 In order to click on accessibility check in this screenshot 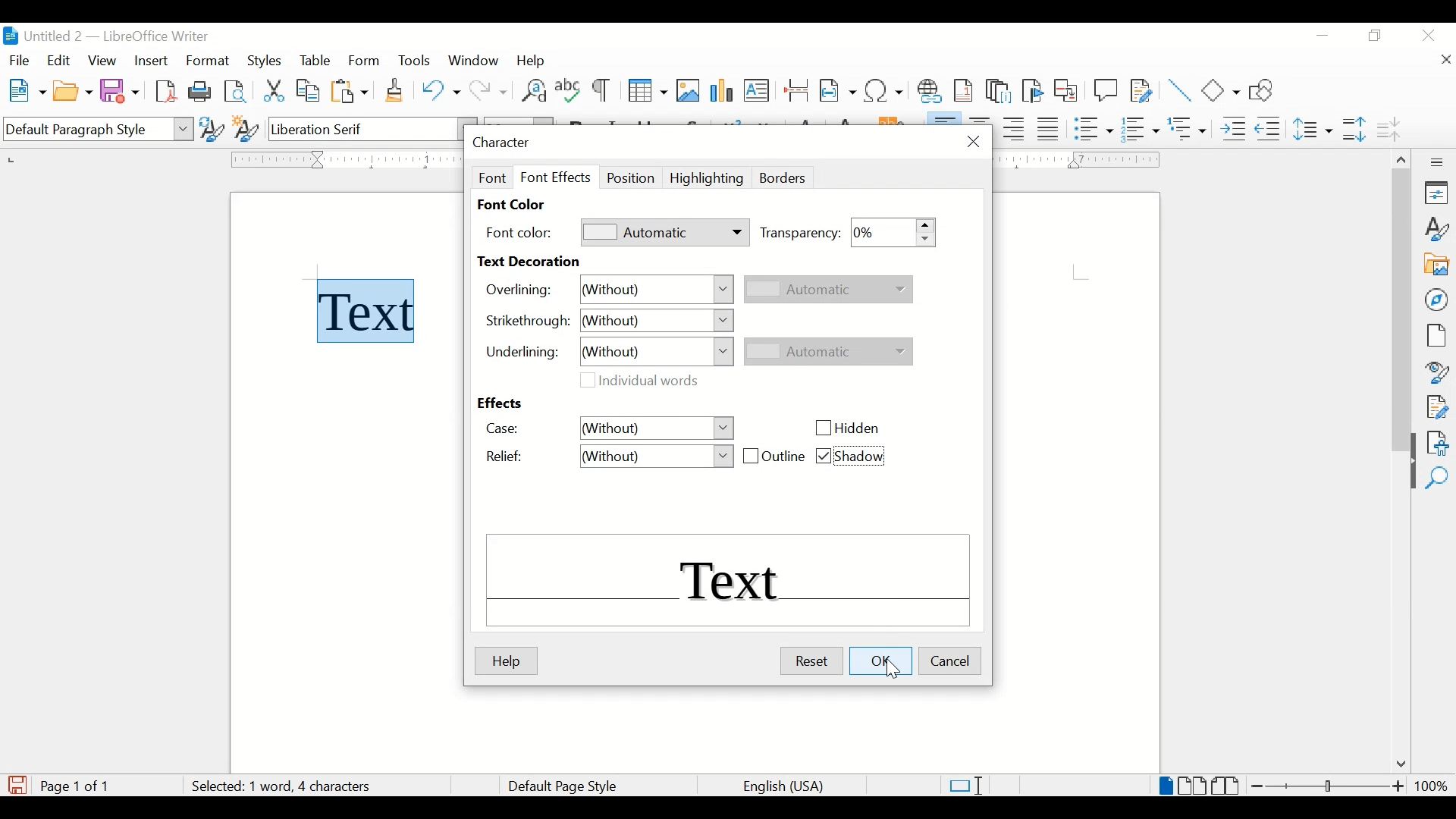, I will do `click(1438, 443)`.